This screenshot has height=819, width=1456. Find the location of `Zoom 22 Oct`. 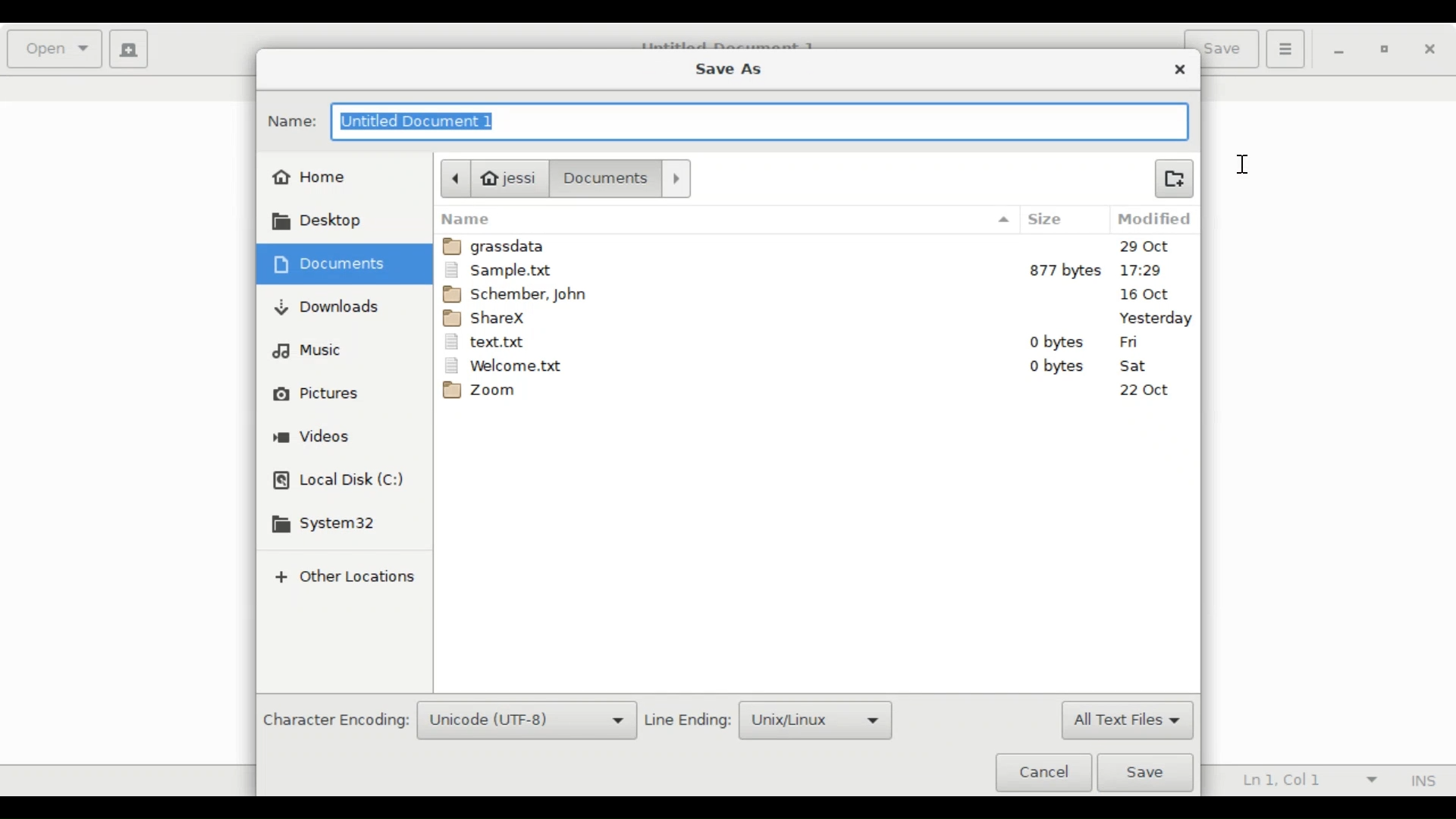

Zoom 22 Oct is located at coordinates (818, 393).